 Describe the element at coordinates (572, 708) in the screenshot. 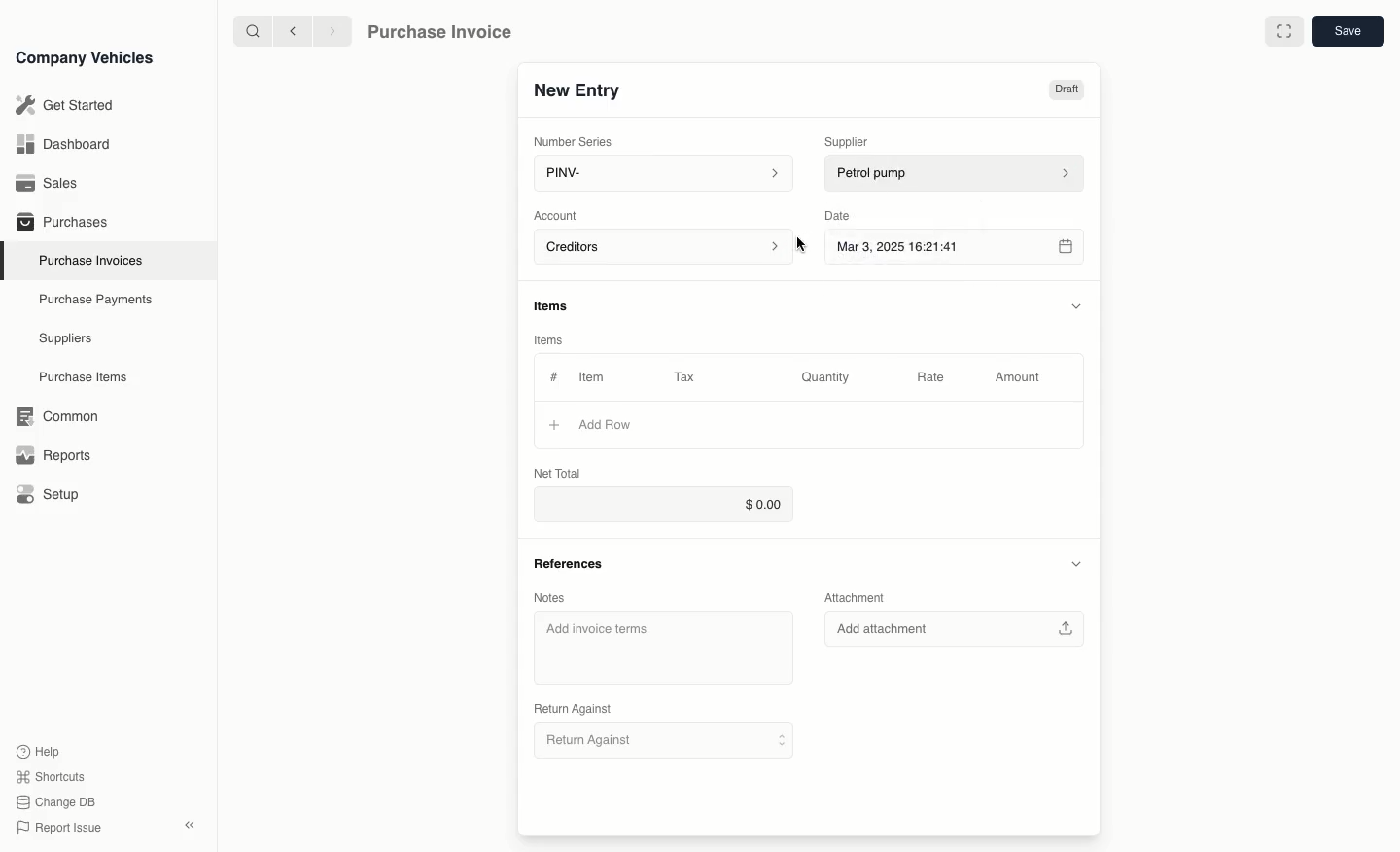

I see `Return Against` at that location.